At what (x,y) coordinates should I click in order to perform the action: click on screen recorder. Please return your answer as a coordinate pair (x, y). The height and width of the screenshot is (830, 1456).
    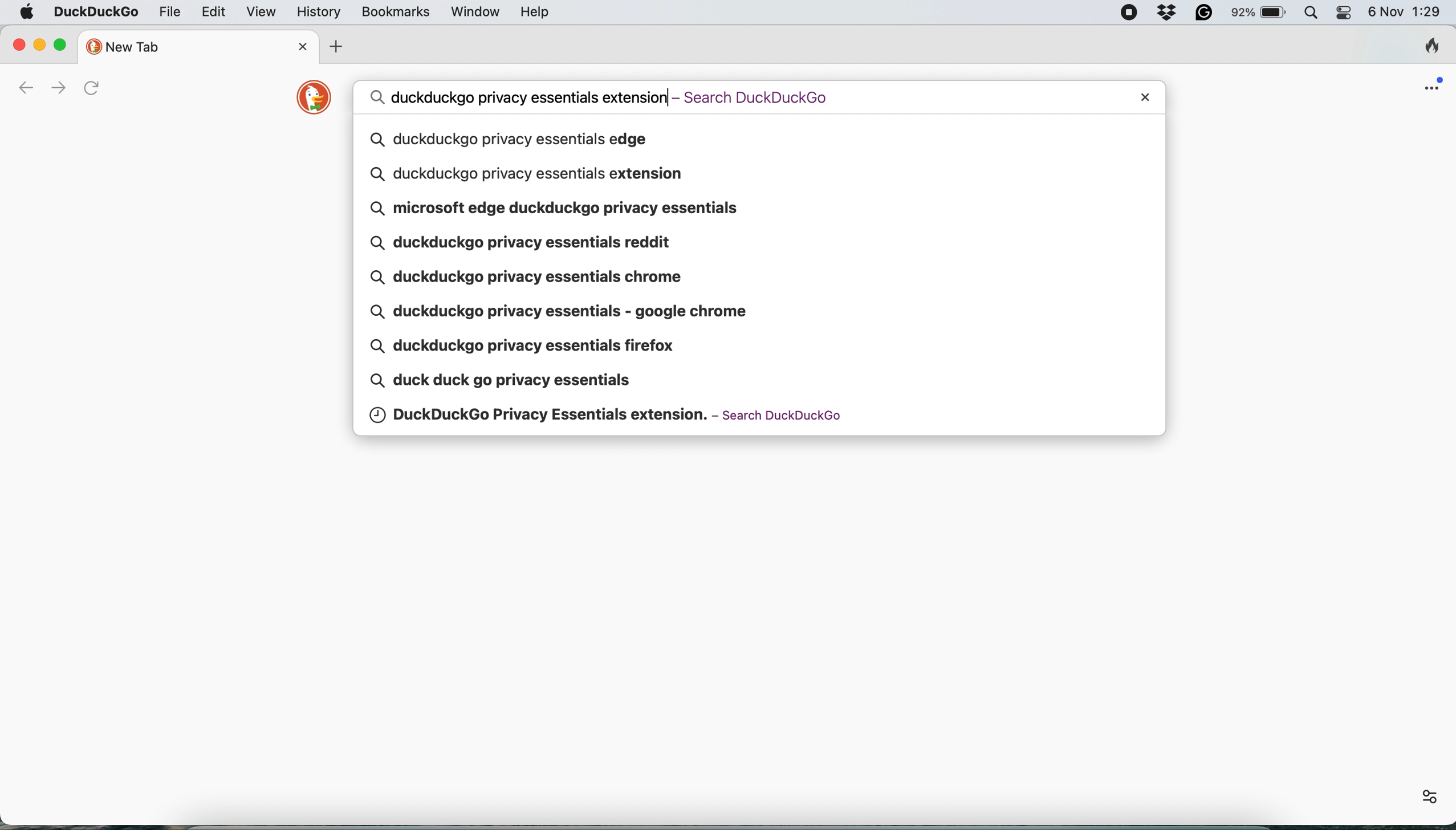
    Looking at the image, I should click on (1127, 13).